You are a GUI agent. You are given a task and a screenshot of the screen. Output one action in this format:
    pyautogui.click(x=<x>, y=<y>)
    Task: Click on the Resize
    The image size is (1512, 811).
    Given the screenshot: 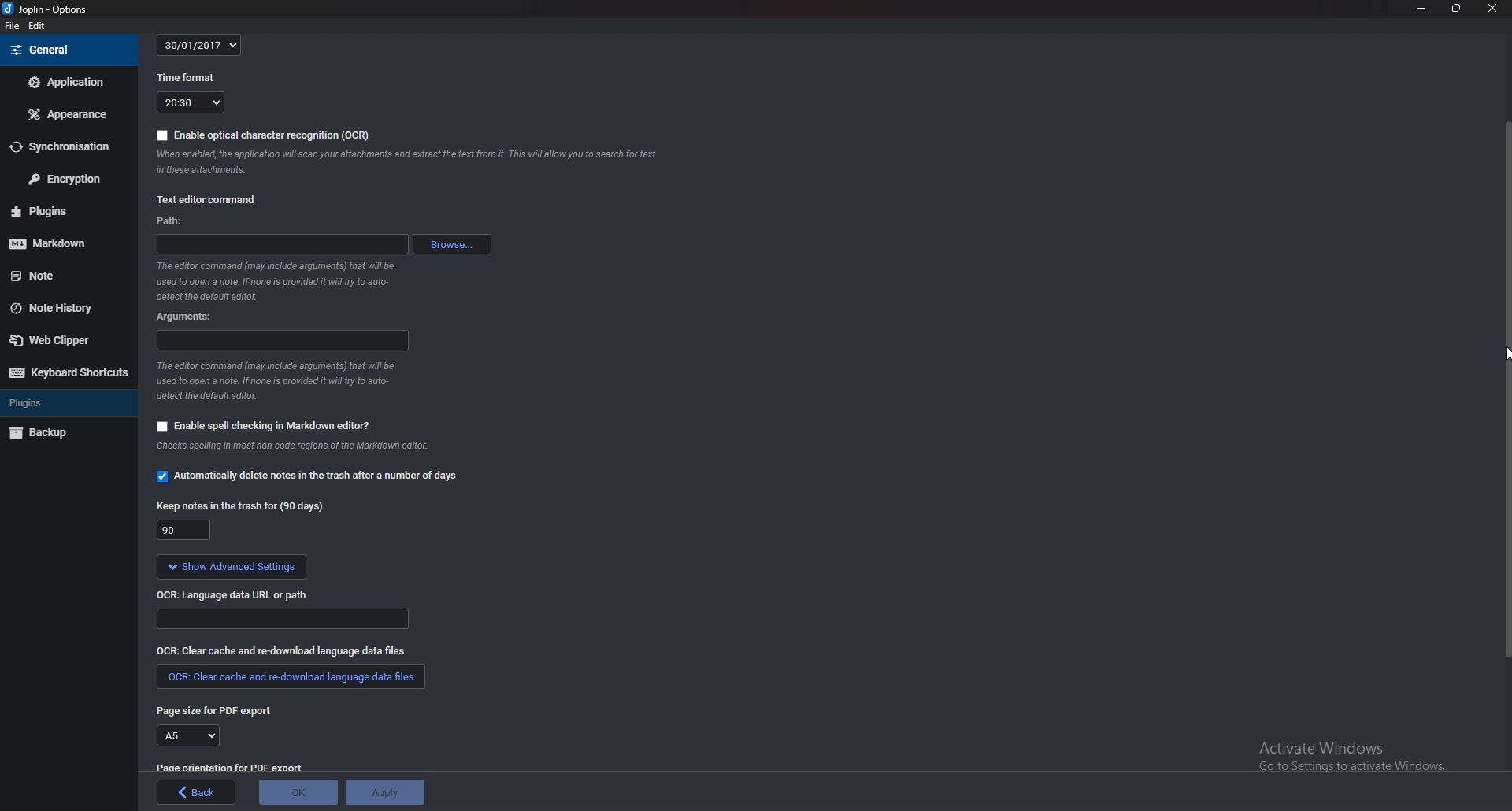 What is the action you would take?
    pyautogui.click(x=1456, y=9)
    